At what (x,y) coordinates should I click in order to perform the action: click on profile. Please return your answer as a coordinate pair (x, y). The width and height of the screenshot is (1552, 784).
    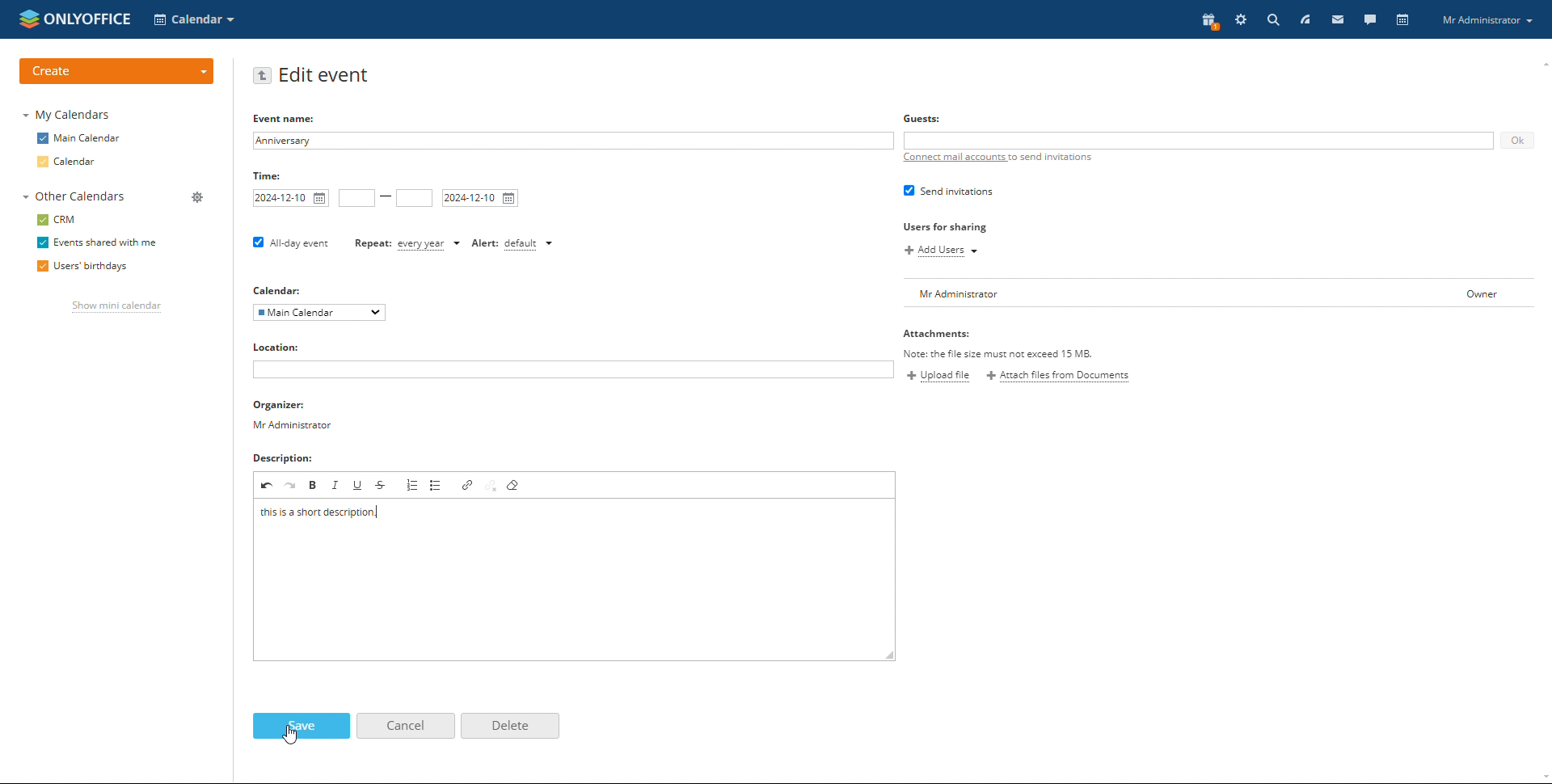
    Looking at the image, I should click on (1487, 19).